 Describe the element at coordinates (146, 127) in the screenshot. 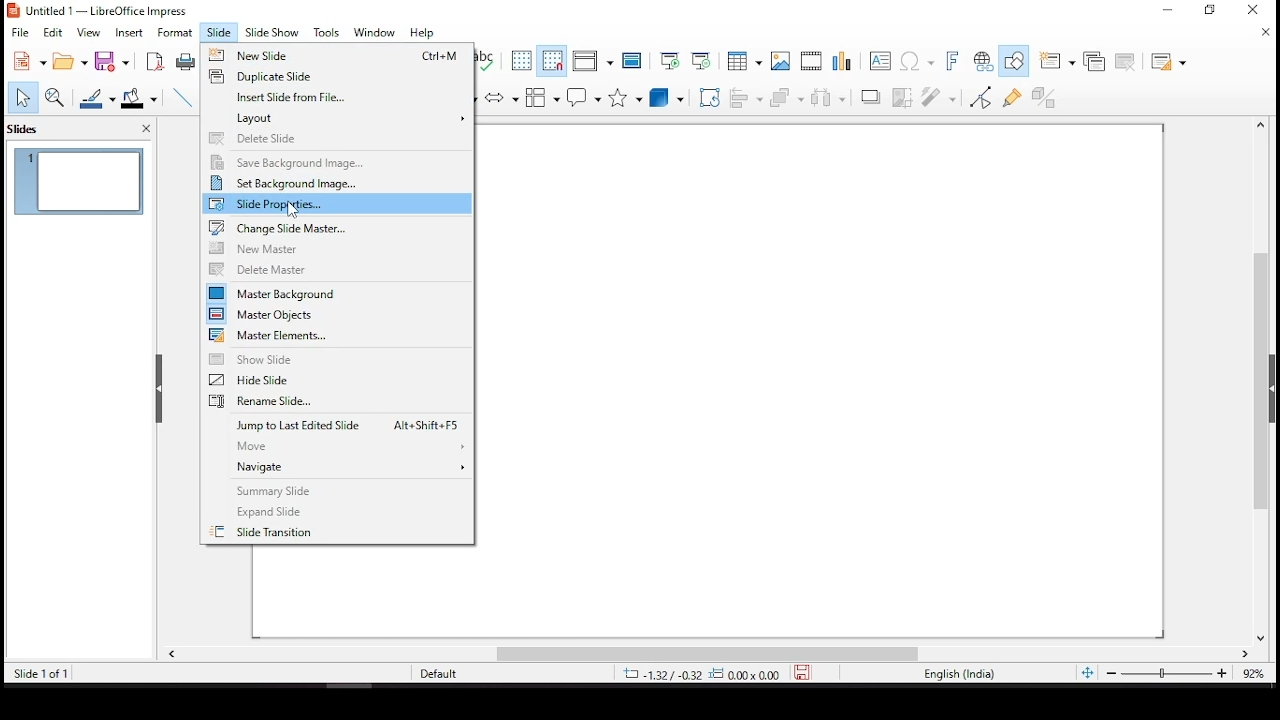

I see `close pane` at that location.